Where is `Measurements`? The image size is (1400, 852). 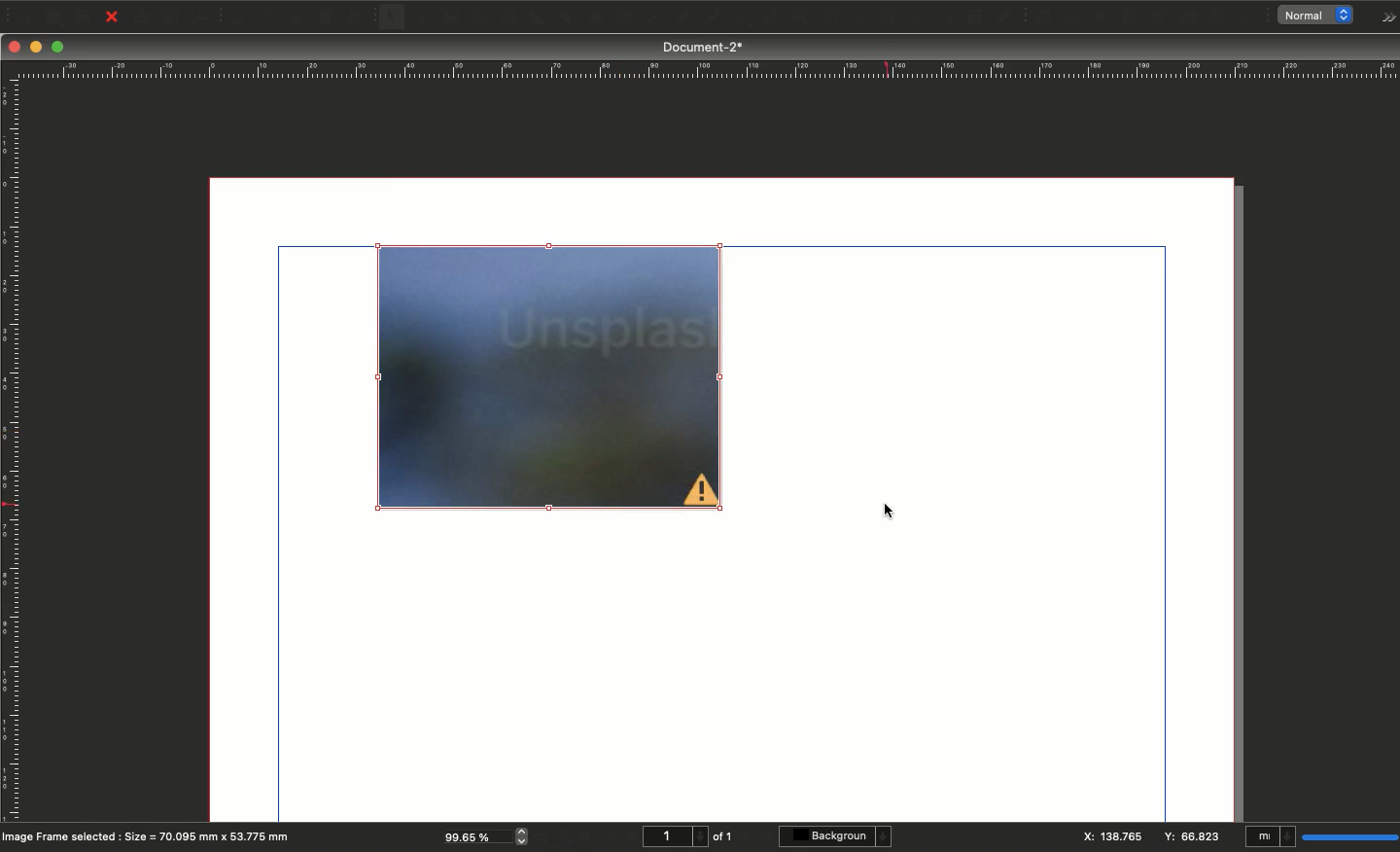
Measurements is located at coordinates (941, 18).